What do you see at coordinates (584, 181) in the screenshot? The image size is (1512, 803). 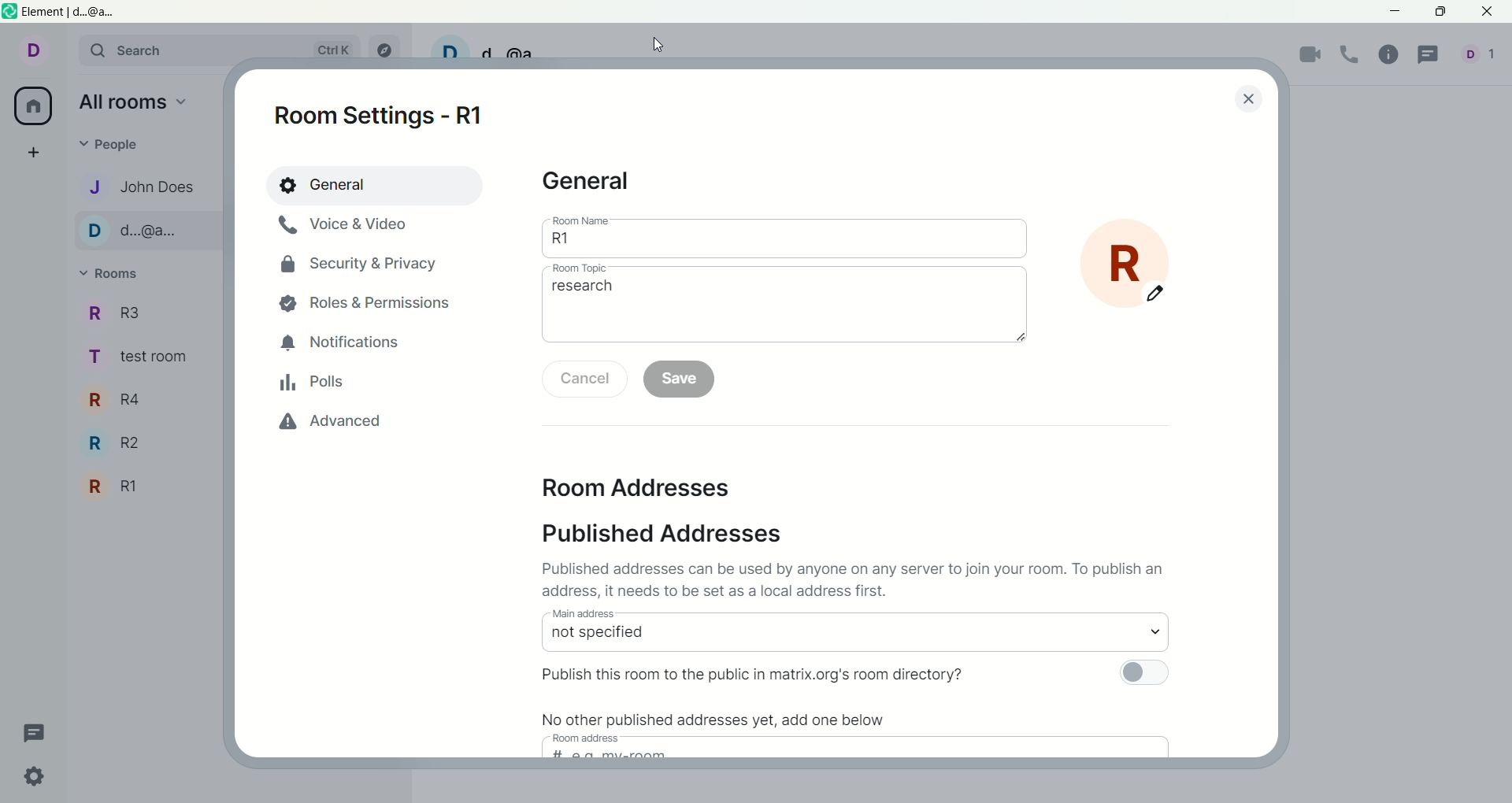 I see `general` at bounding box center [584, 181].